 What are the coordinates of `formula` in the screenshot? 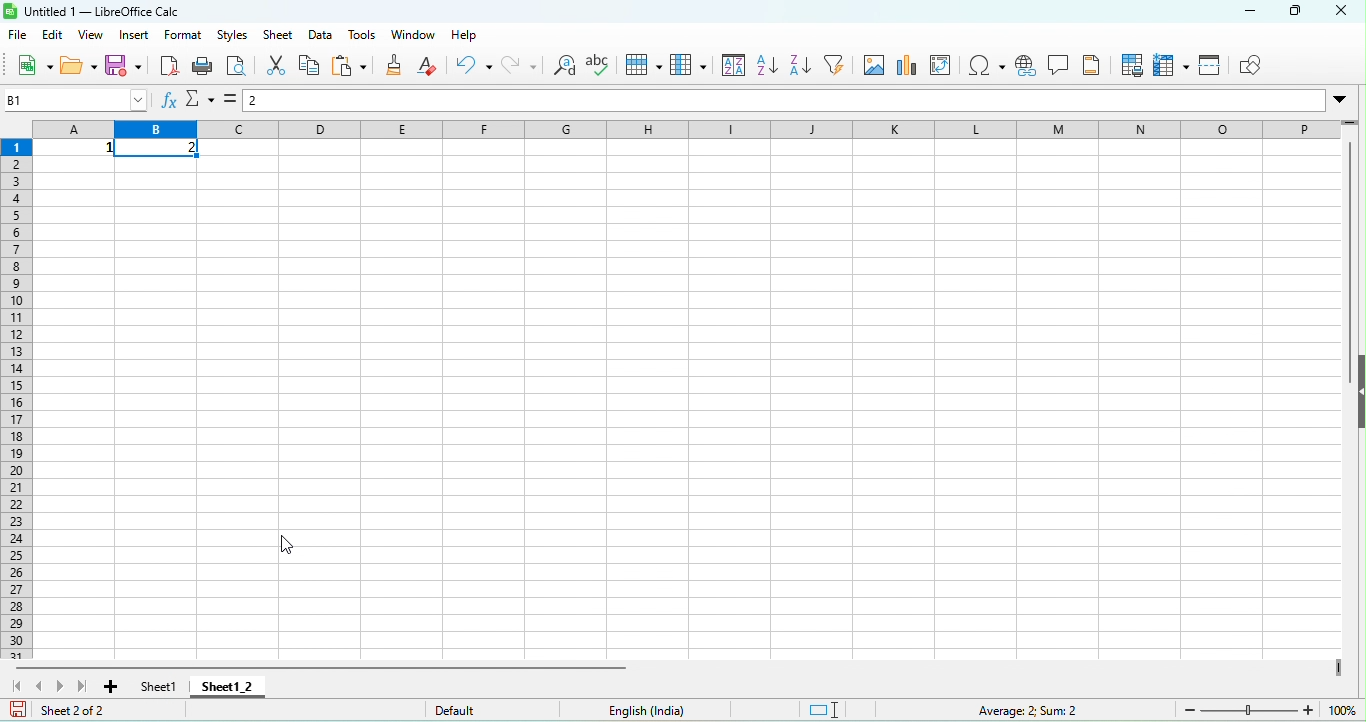 It's located at (233, 99).